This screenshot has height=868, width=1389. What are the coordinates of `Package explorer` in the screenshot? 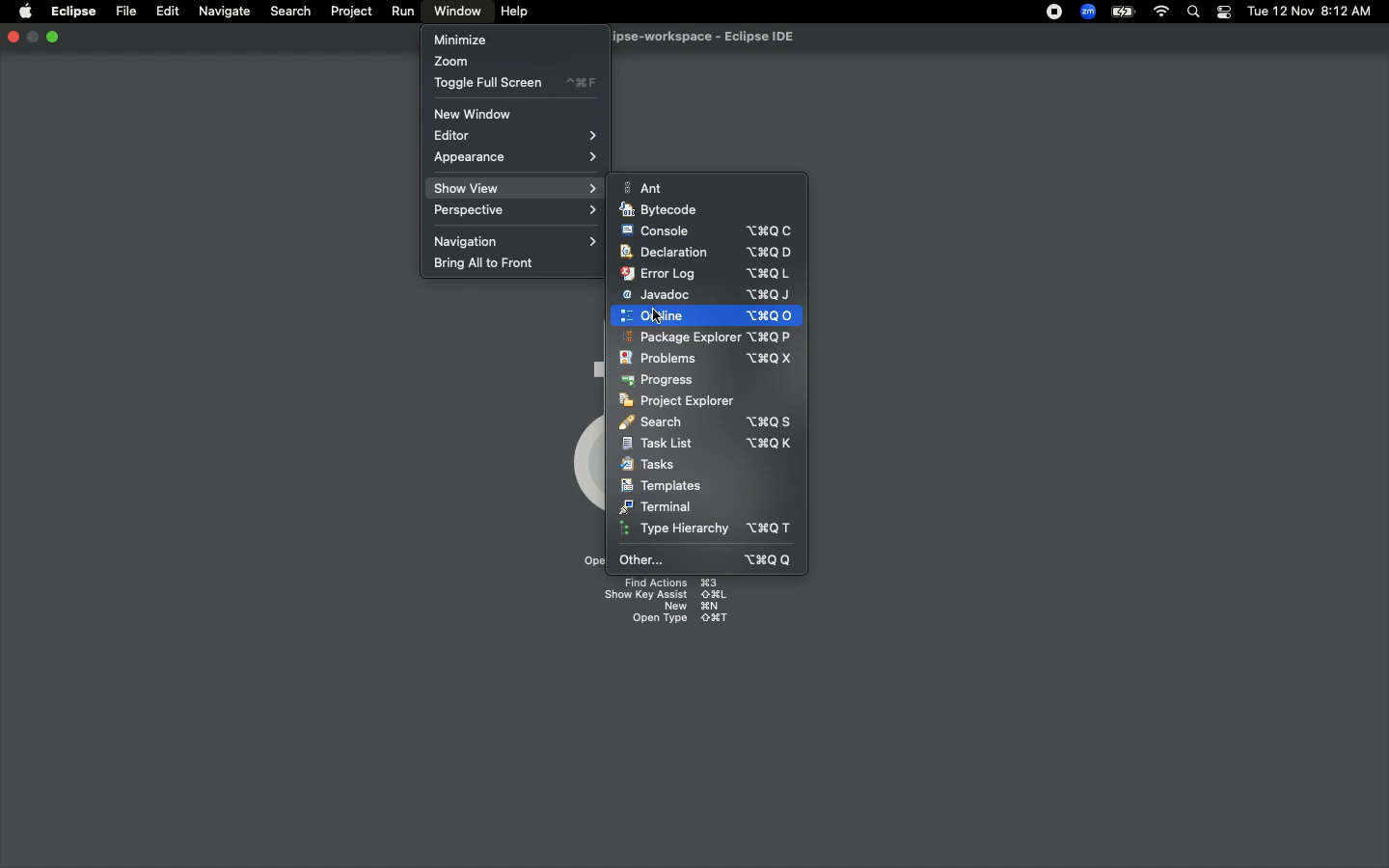 It's located at (702, 337).